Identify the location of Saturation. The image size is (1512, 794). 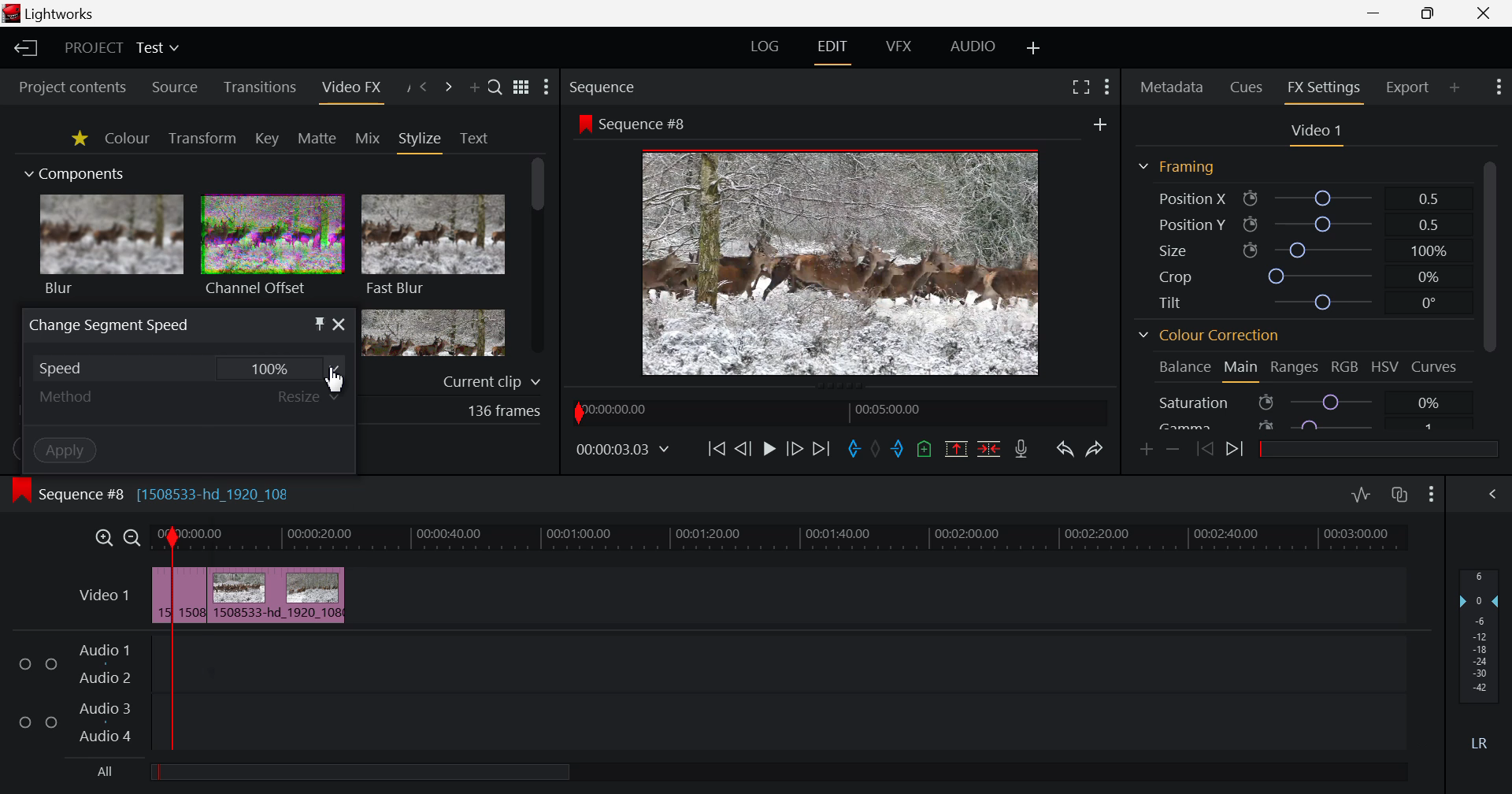
(1310, 400).